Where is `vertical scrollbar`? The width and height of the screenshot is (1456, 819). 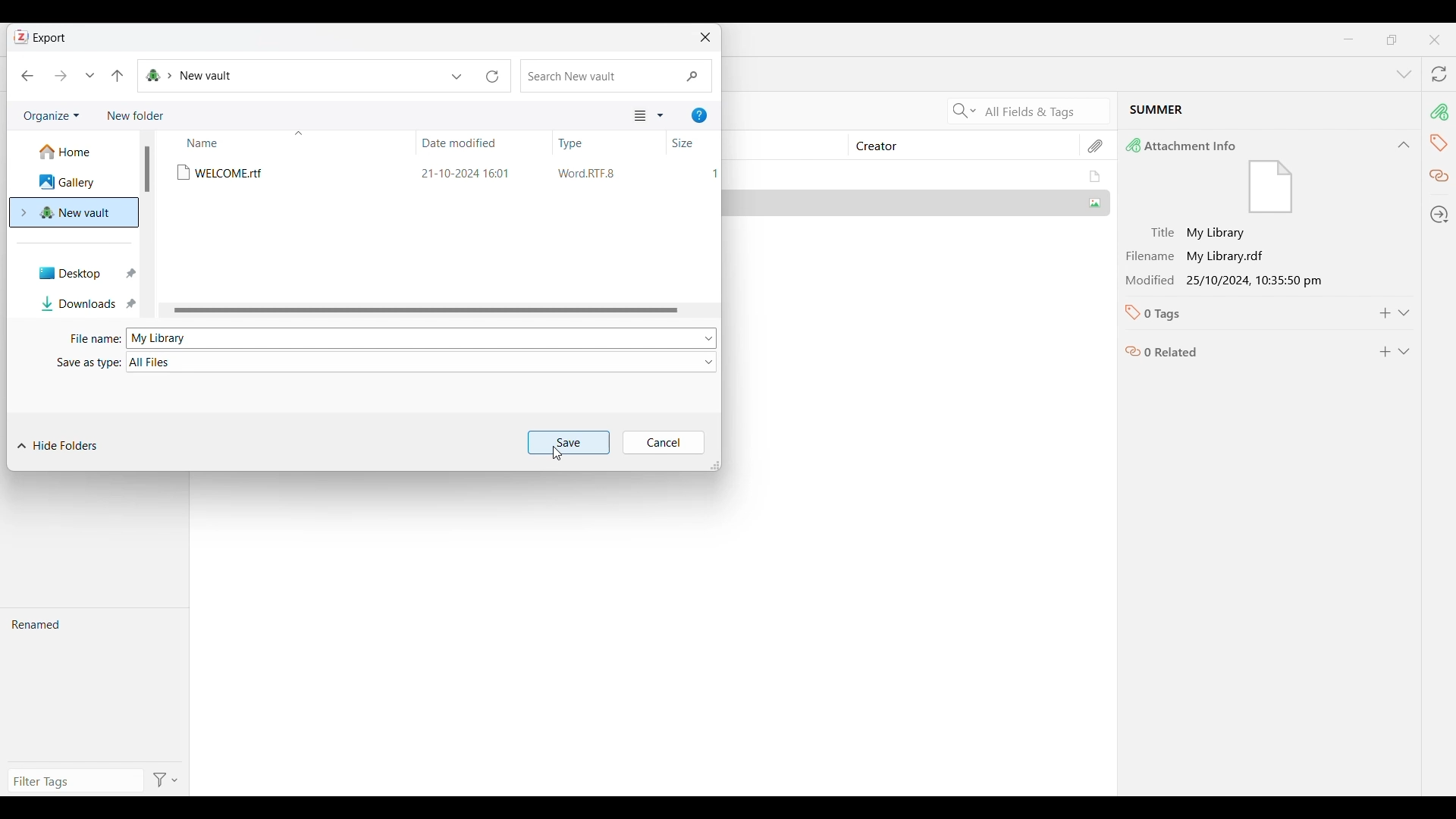
vertical scrollbar is located at coordinates (149, 173).